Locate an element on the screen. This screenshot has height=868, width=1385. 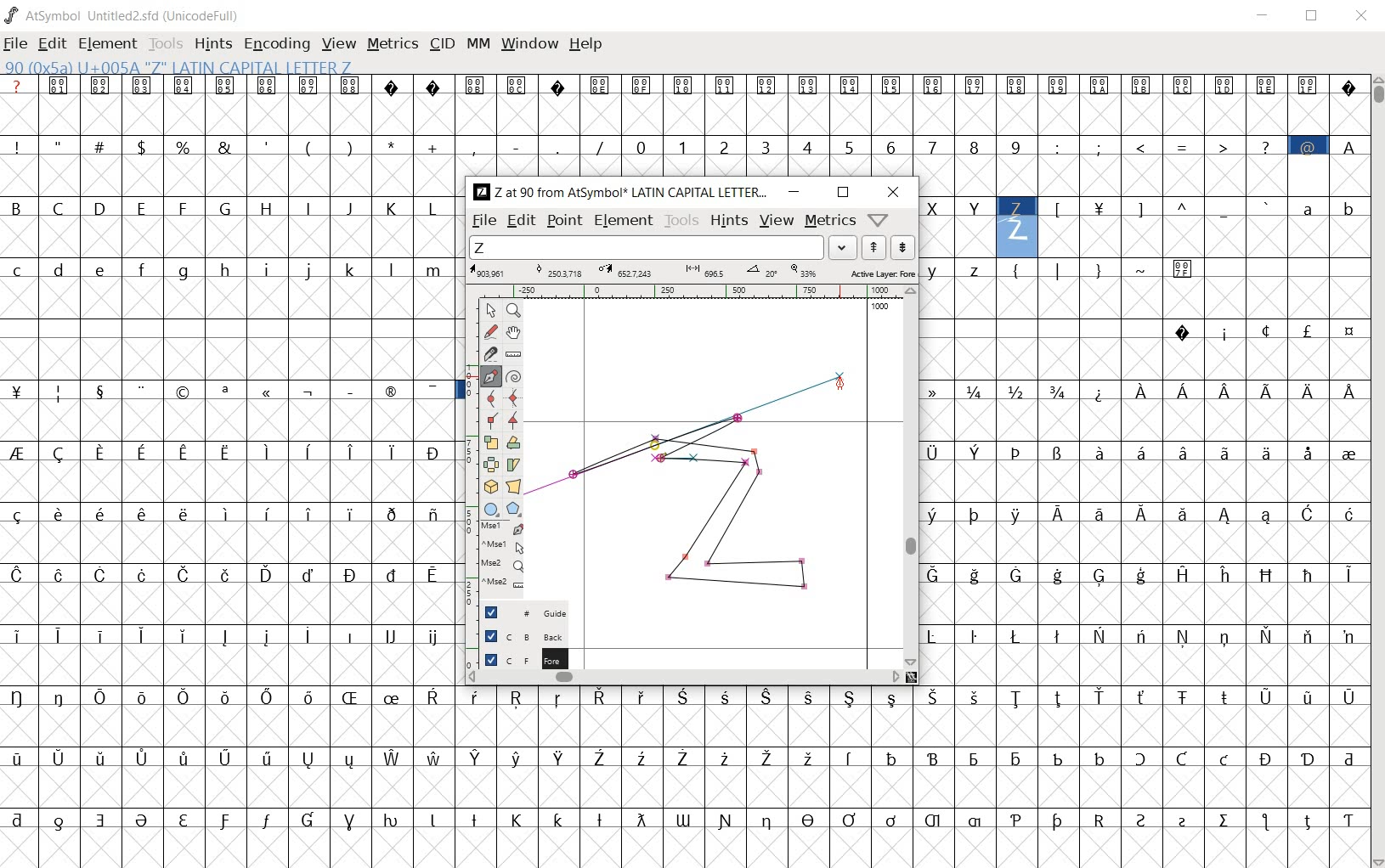
tools is located at coordinates (682, 221).